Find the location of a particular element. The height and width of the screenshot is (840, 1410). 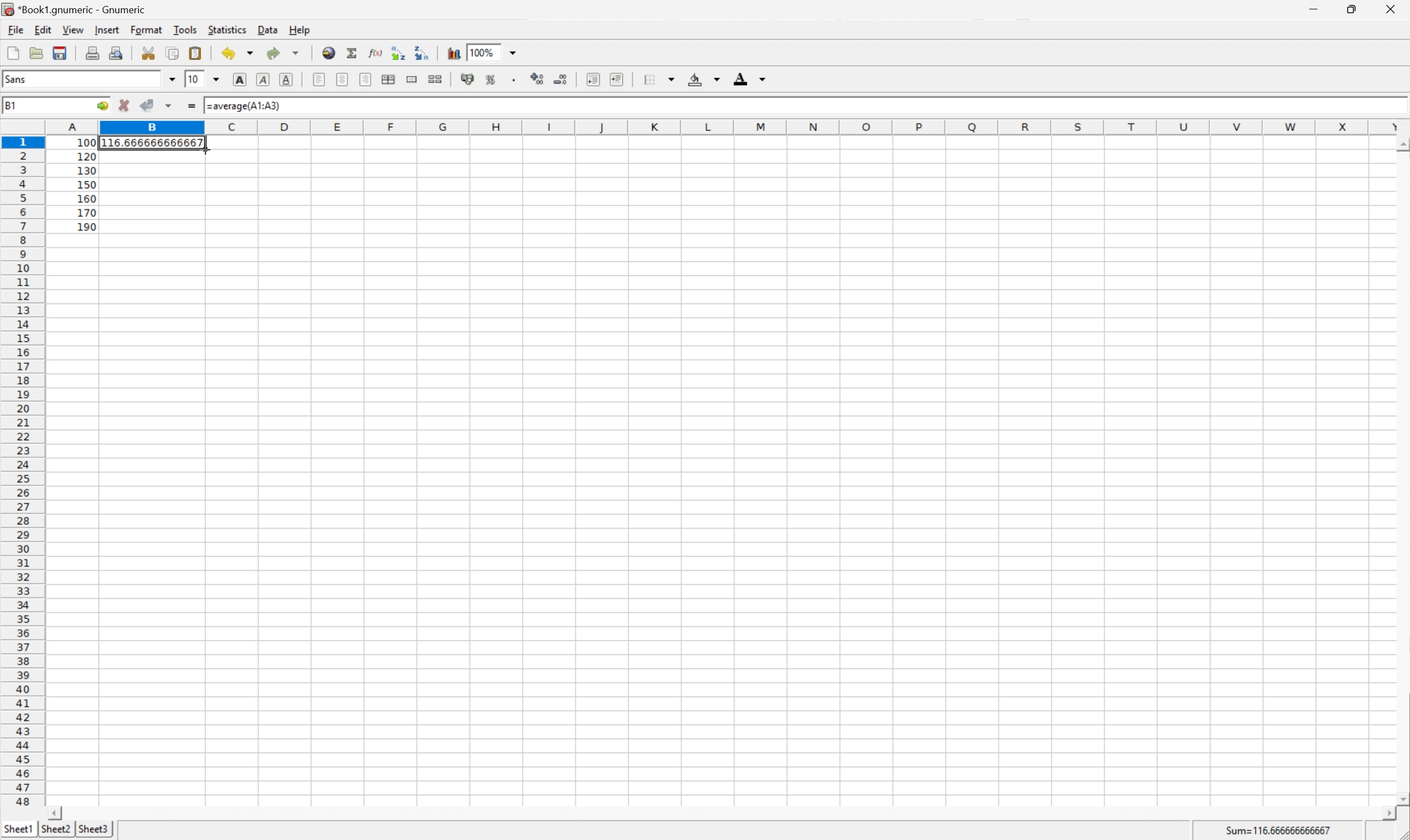

Cursor is located at coordinates (206, 149).